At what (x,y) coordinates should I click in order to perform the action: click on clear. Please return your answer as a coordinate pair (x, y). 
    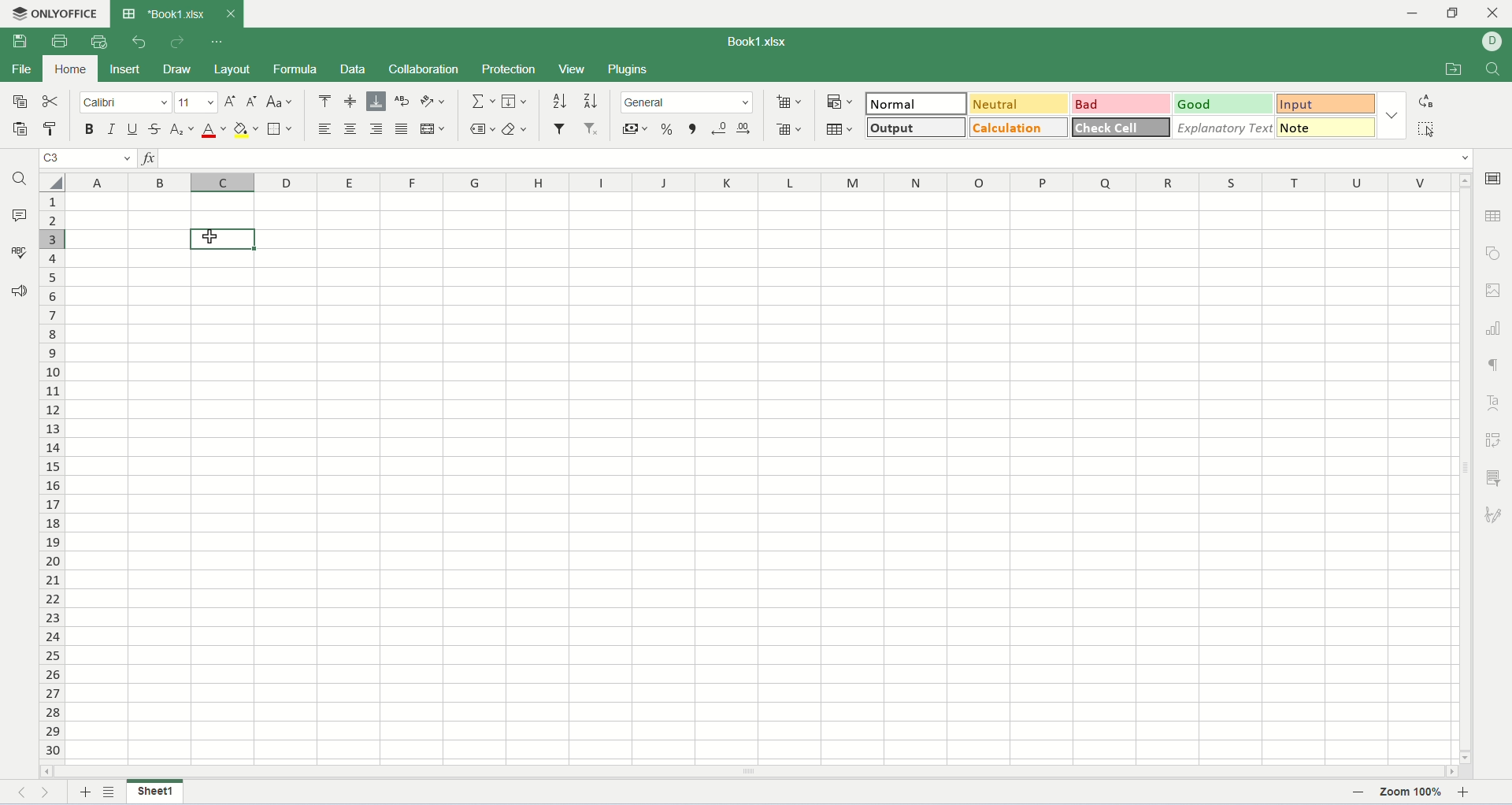
    Looking at the image, I should click on (514, 131).